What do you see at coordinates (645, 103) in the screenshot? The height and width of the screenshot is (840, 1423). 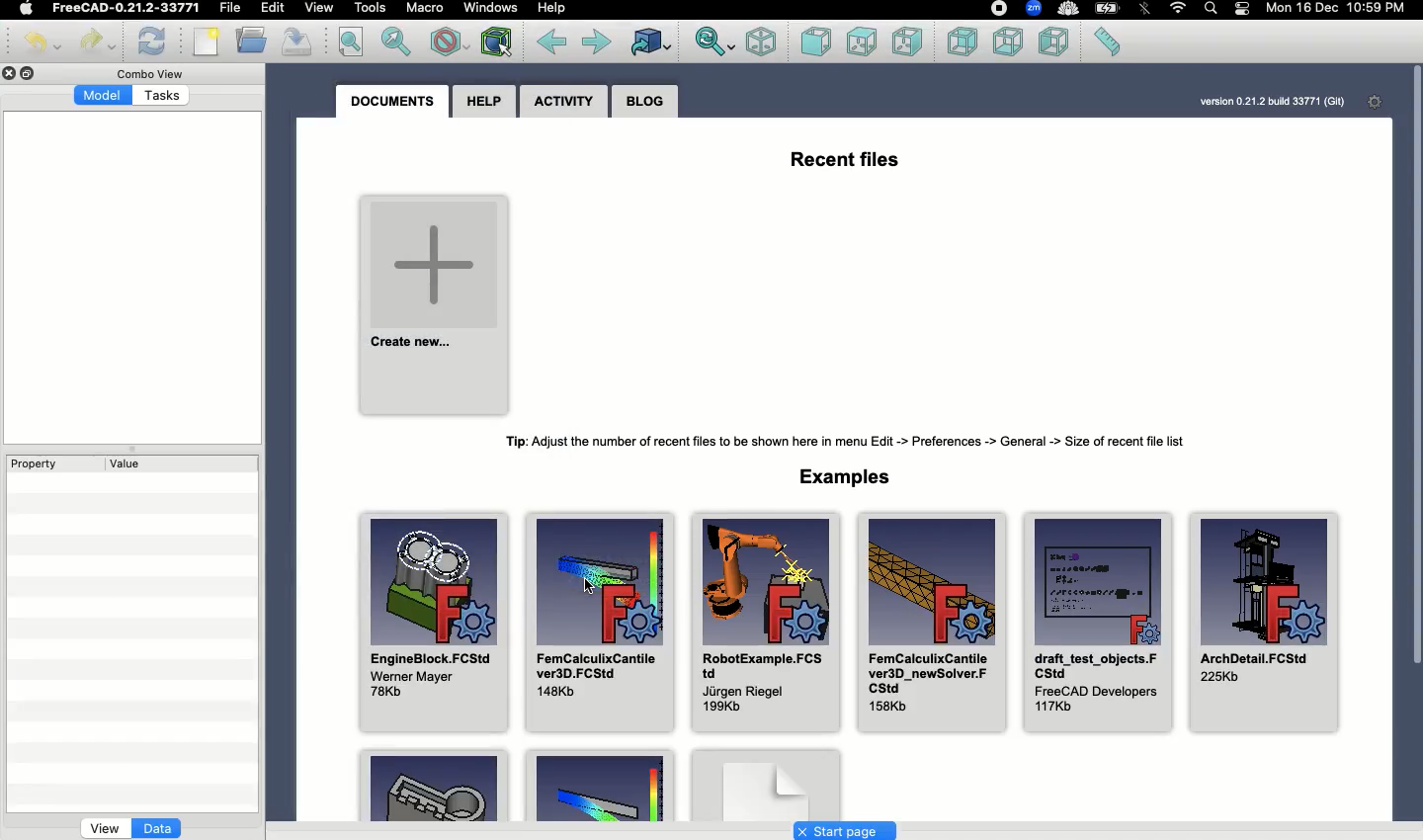 I see `Blog` at bounding box center [645, 103].